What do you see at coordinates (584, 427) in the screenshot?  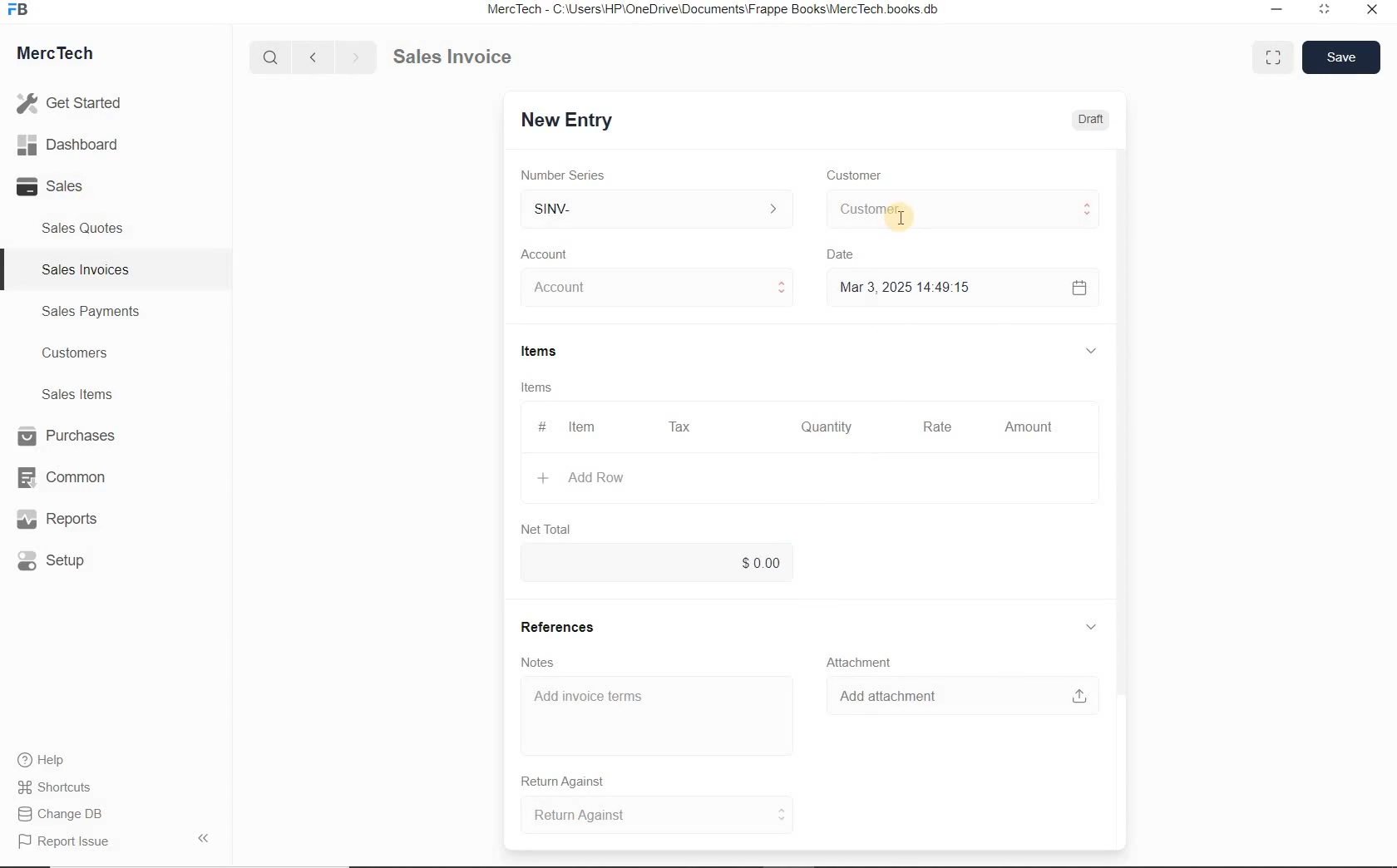 I see `Item` at bounding box center [584, 427].